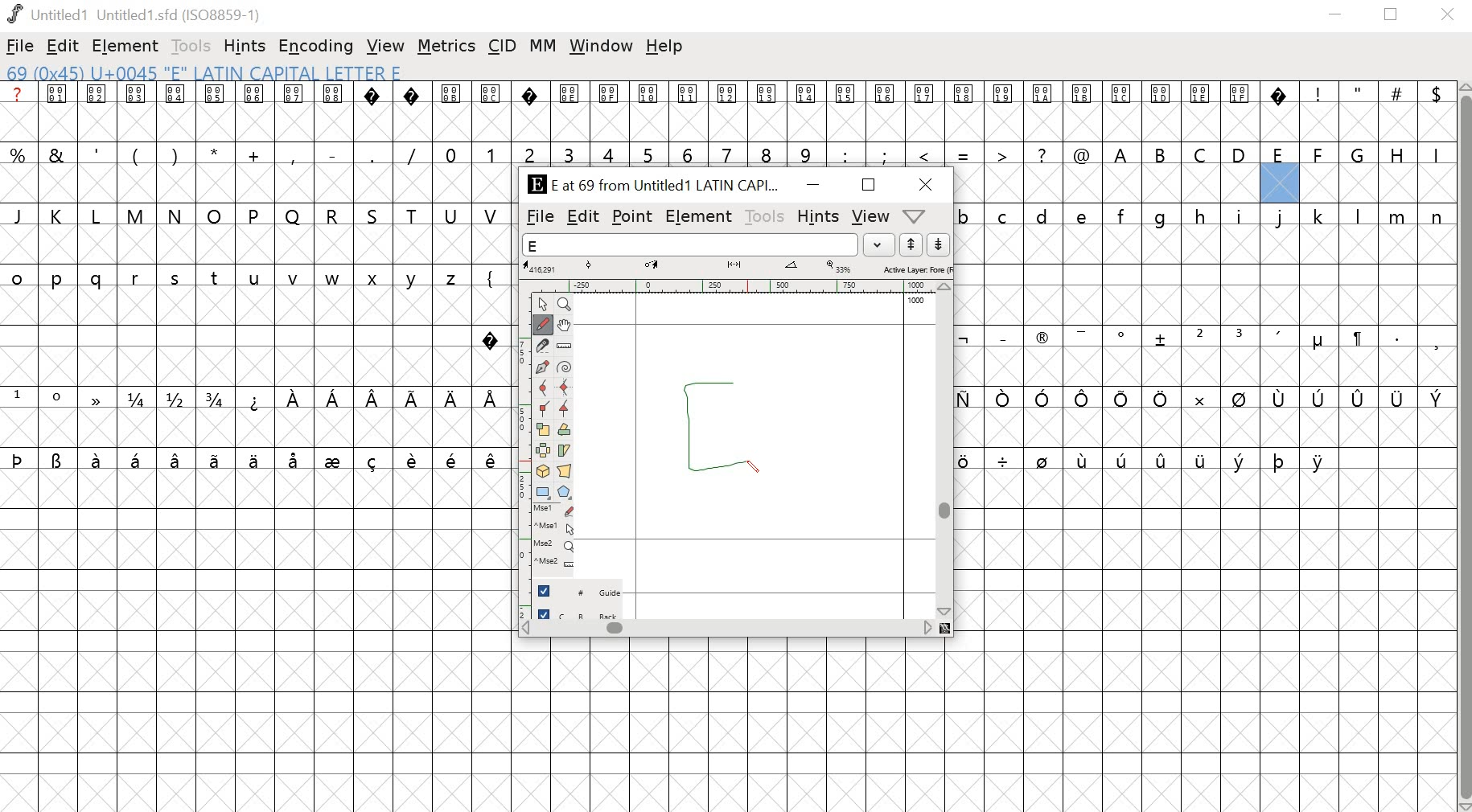  What do you see at coordinates (502, 47) in the screenshot?
I see `CID` at bounding box center [502, 47].